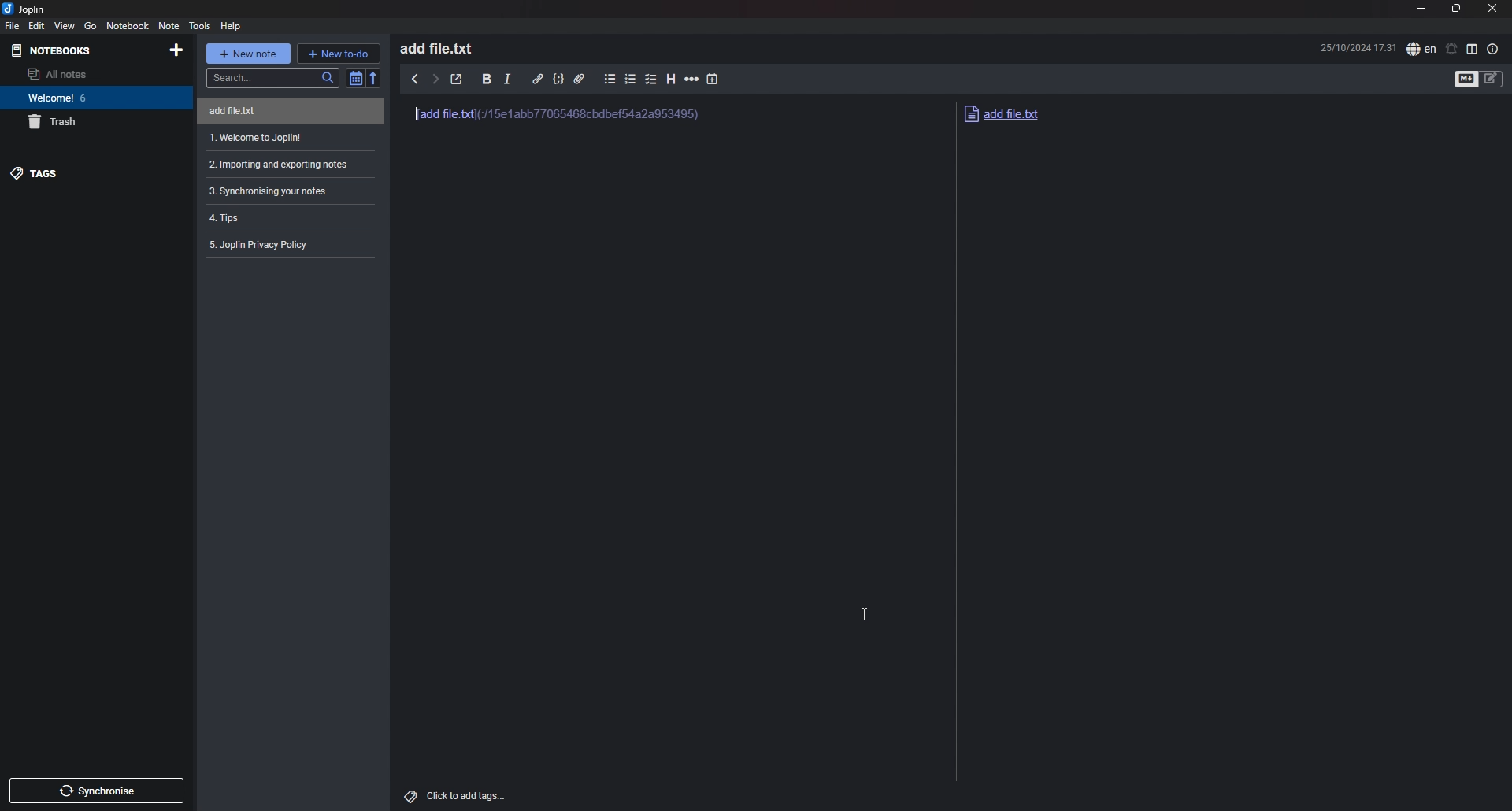 The image size is (1512, 811). What do you see at coordinates (1474, 49) in the screenshot?
I see `toggle editor layout` at bounding box center [1474, 49].